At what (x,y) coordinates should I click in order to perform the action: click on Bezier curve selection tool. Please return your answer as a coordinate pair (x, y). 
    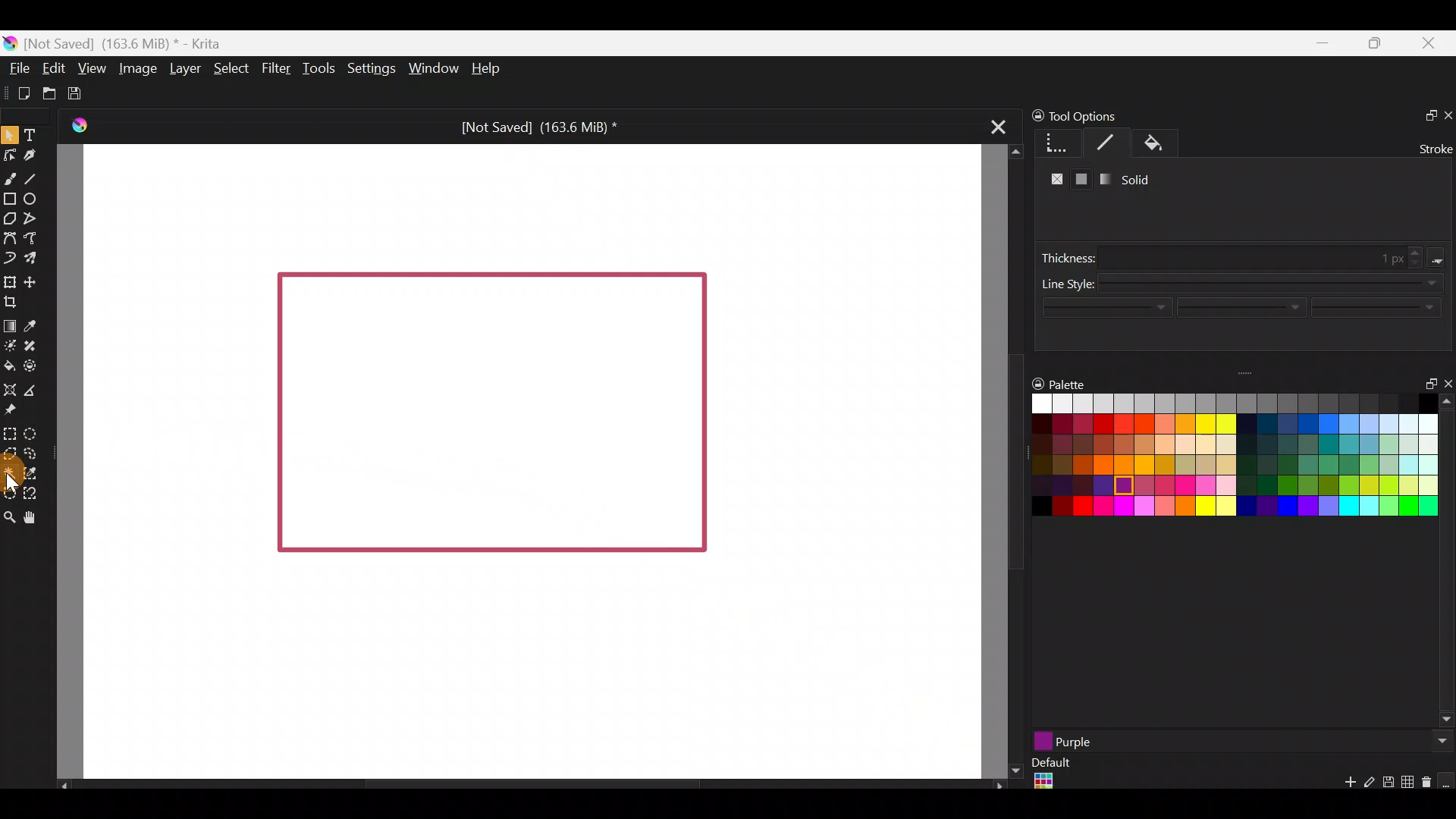
    Looking at the image, I should click on (9, 494).